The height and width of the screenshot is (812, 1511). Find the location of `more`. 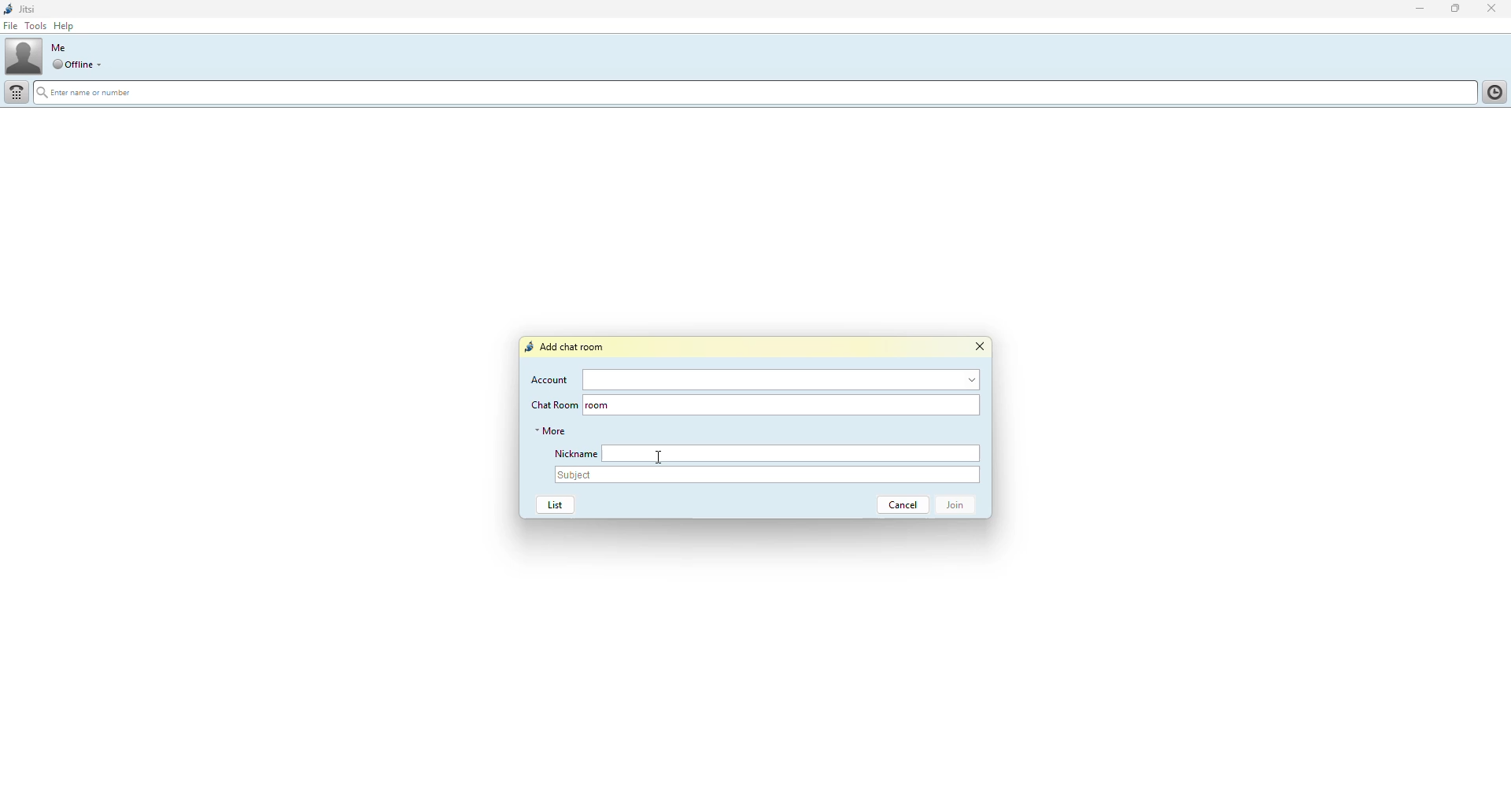

more is located at coordinates (551, 430).